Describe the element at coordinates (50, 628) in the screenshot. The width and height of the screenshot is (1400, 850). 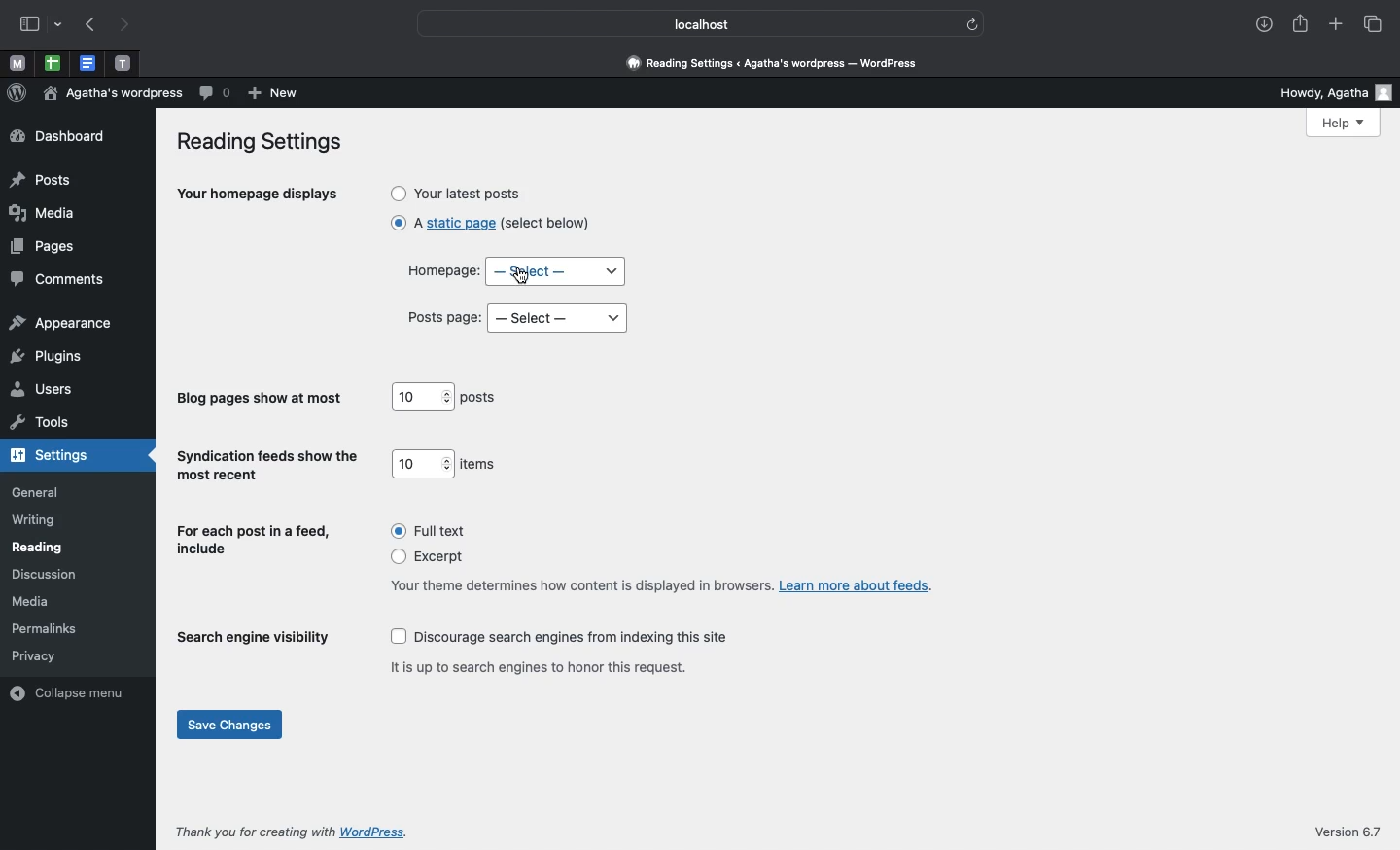
I see `permalinks` at that location.